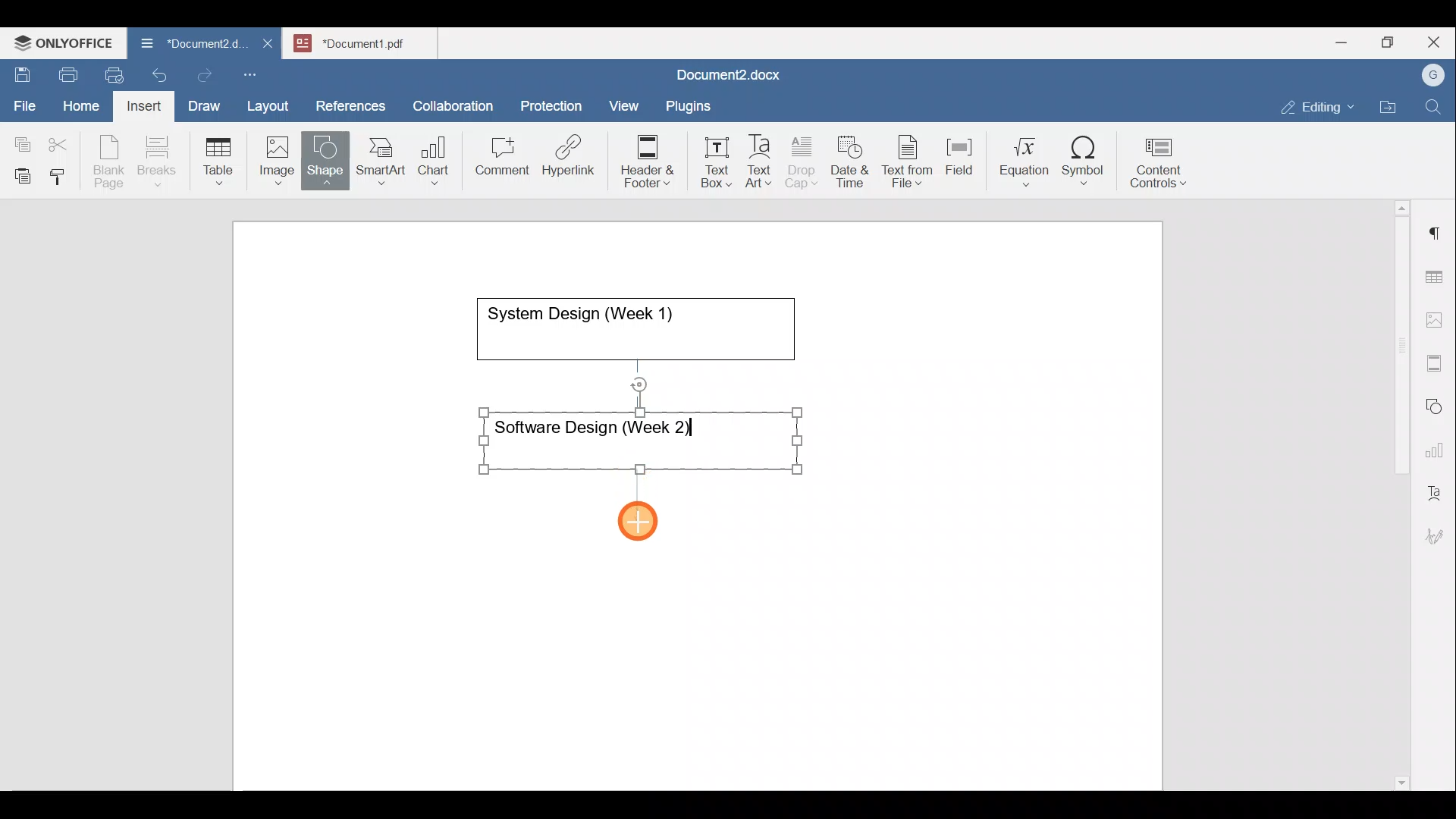 The width and height of the screenshot is (1456, 819). I want to click on Editing mode, so click(1318, 104).